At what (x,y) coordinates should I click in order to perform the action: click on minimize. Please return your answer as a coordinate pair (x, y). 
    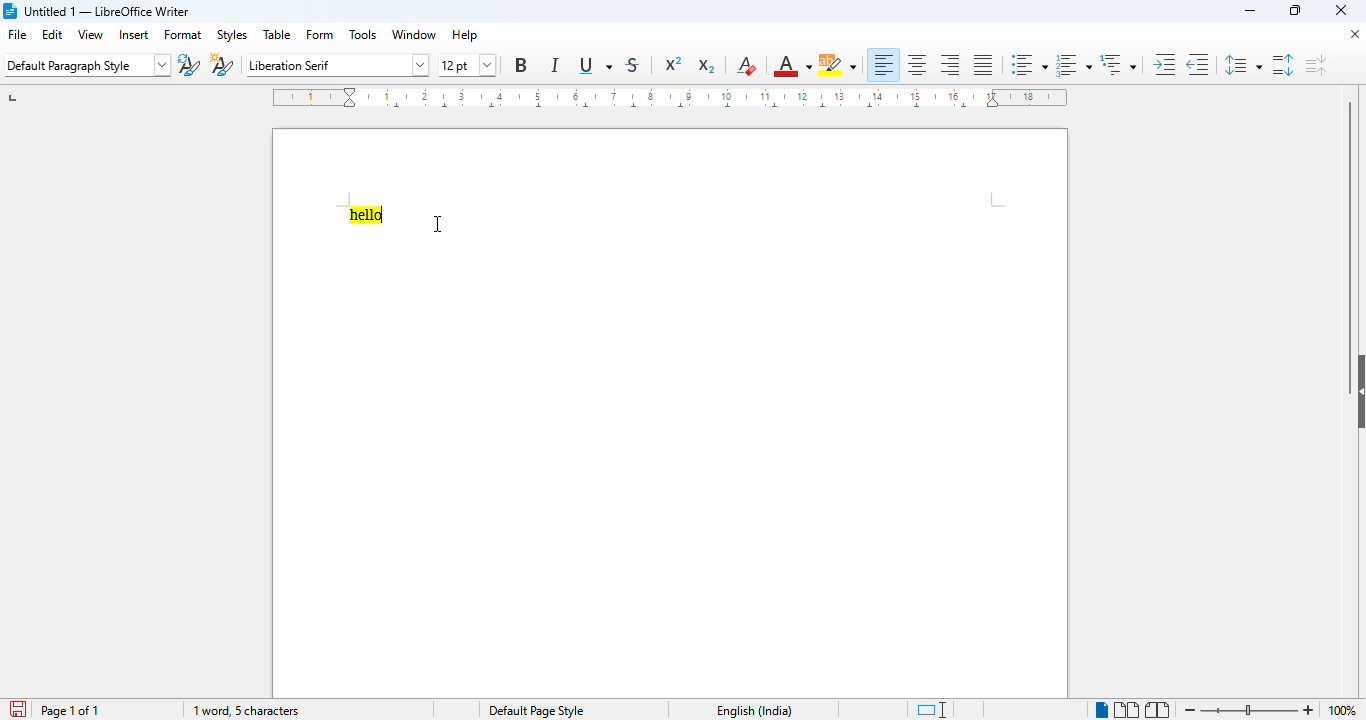
    Looking at the image, I should click on (1252, 11).